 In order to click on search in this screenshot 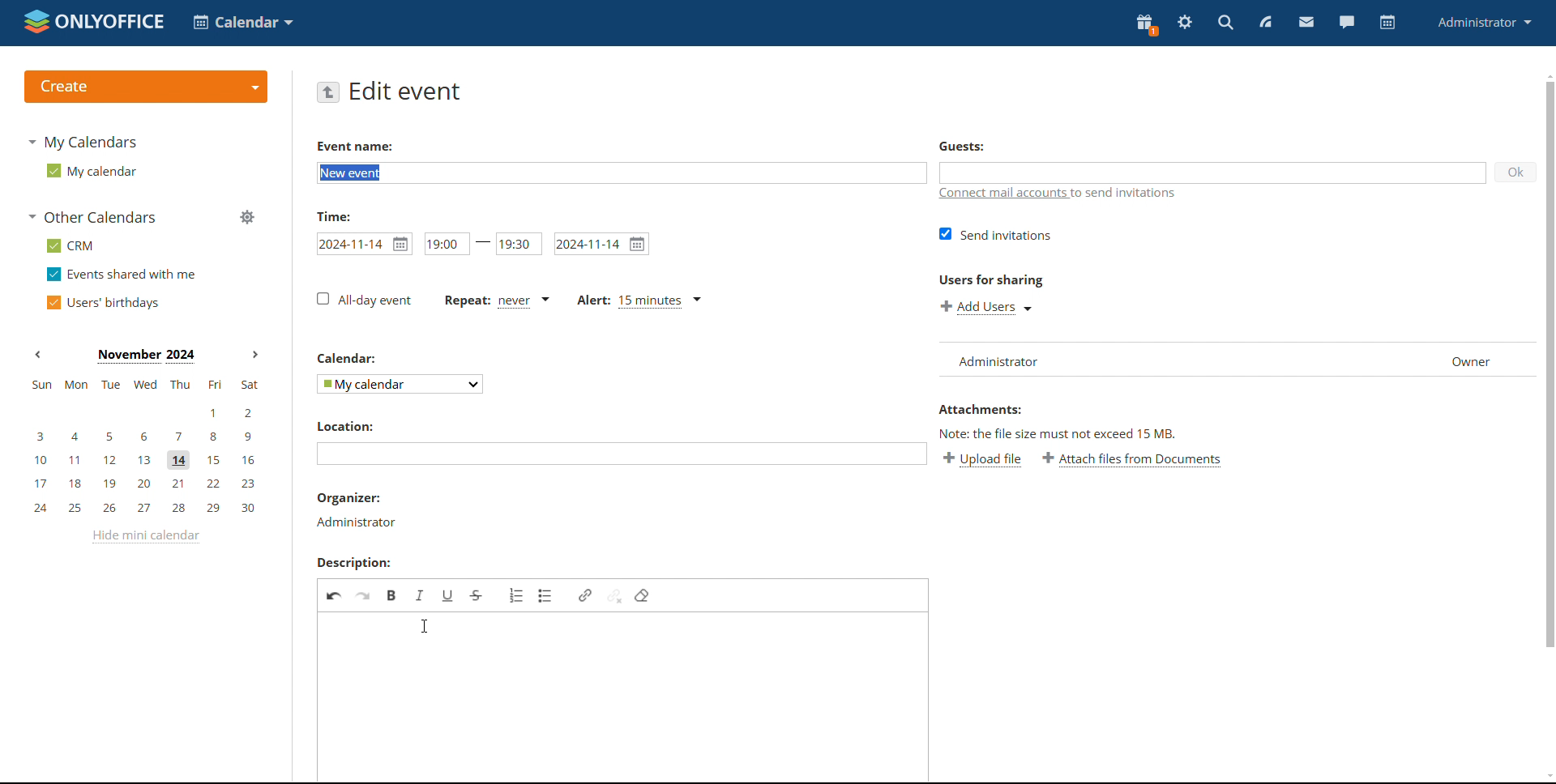, I will do `click(1224, 23)`.